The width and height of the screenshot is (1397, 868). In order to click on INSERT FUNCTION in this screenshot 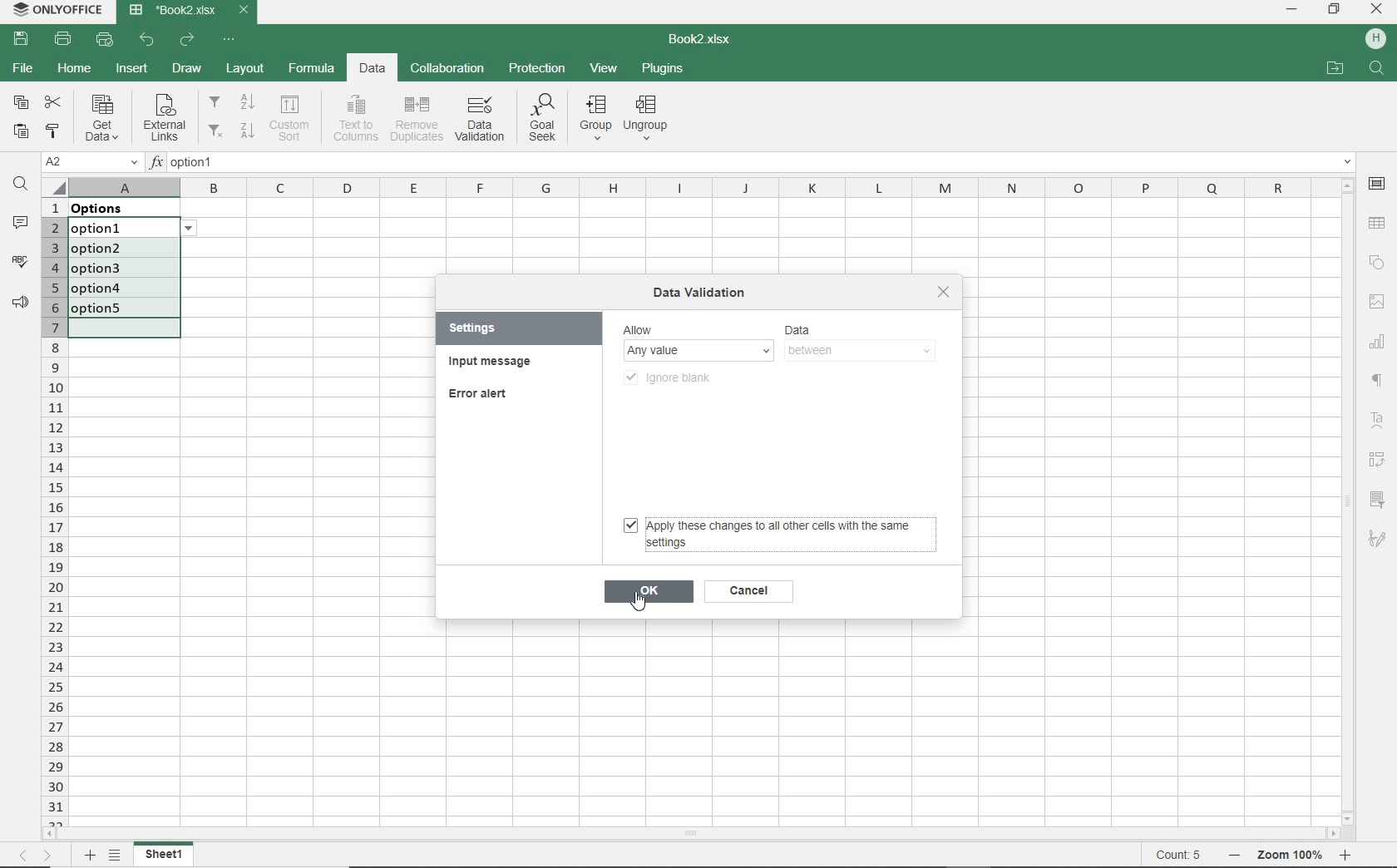, I will do `click(752, 165)`.